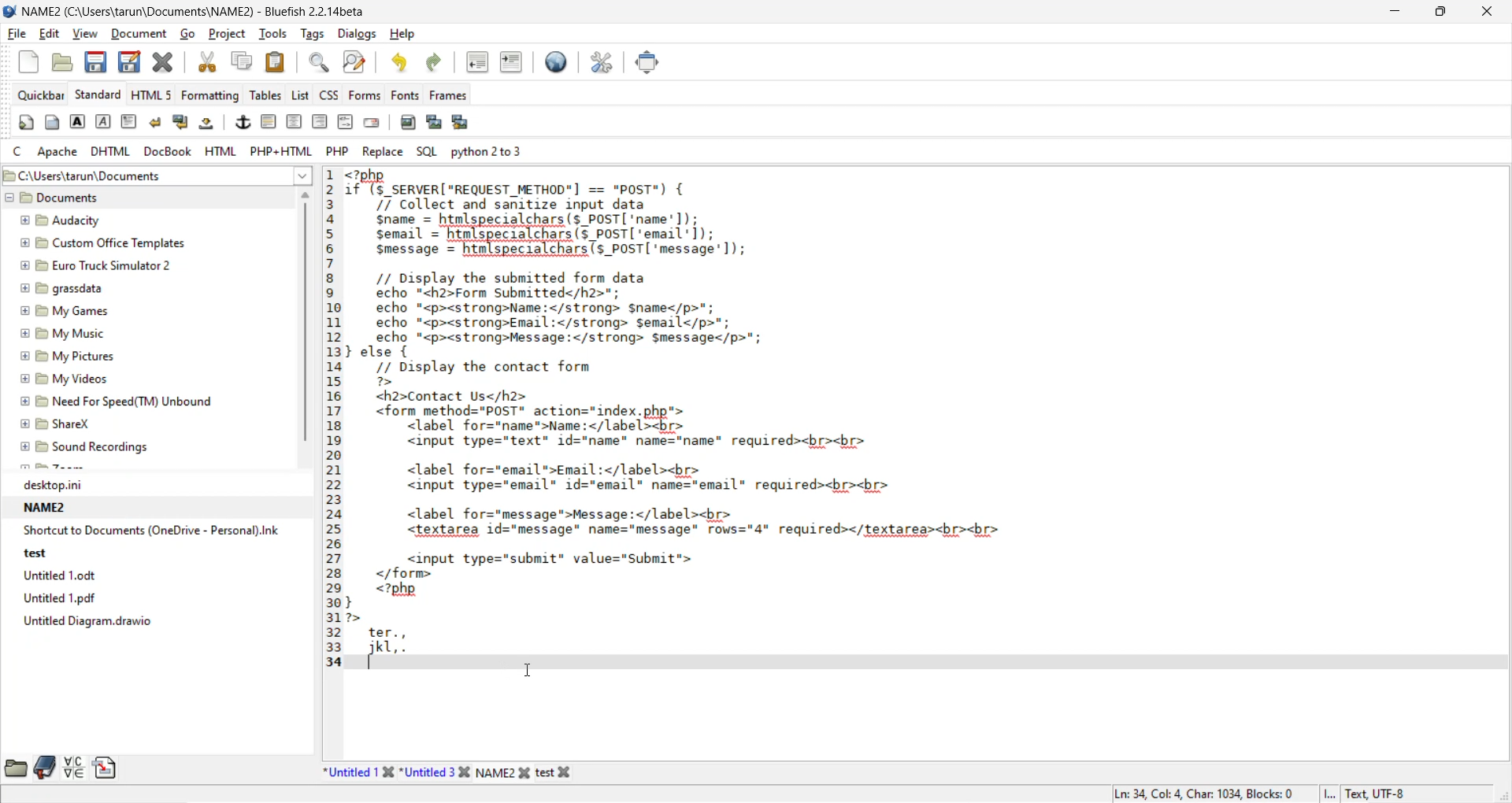  What do you see at coordinates (77, 575) in the screenshot?
I see `Untitled 1.0dt` at bounding box center [77, 575].